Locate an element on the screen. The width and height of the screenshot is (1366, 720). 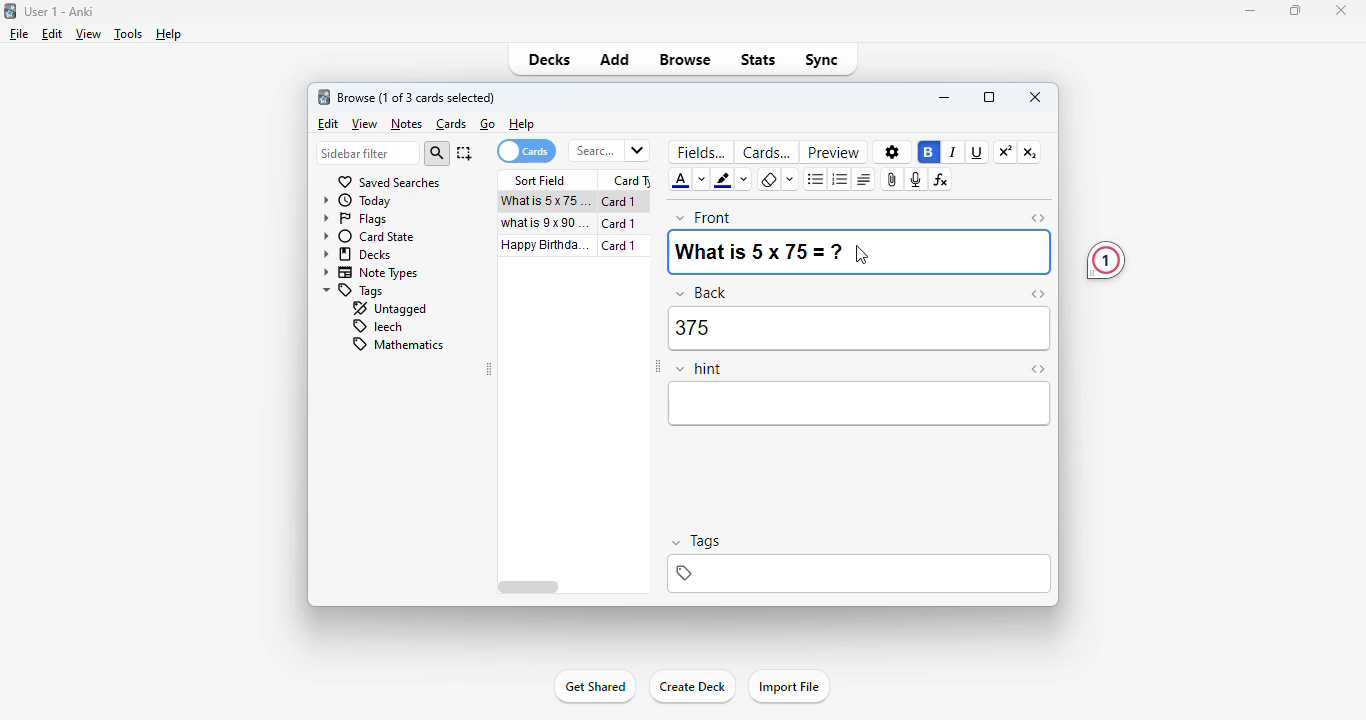
edit is located at coordinates (328, 123).